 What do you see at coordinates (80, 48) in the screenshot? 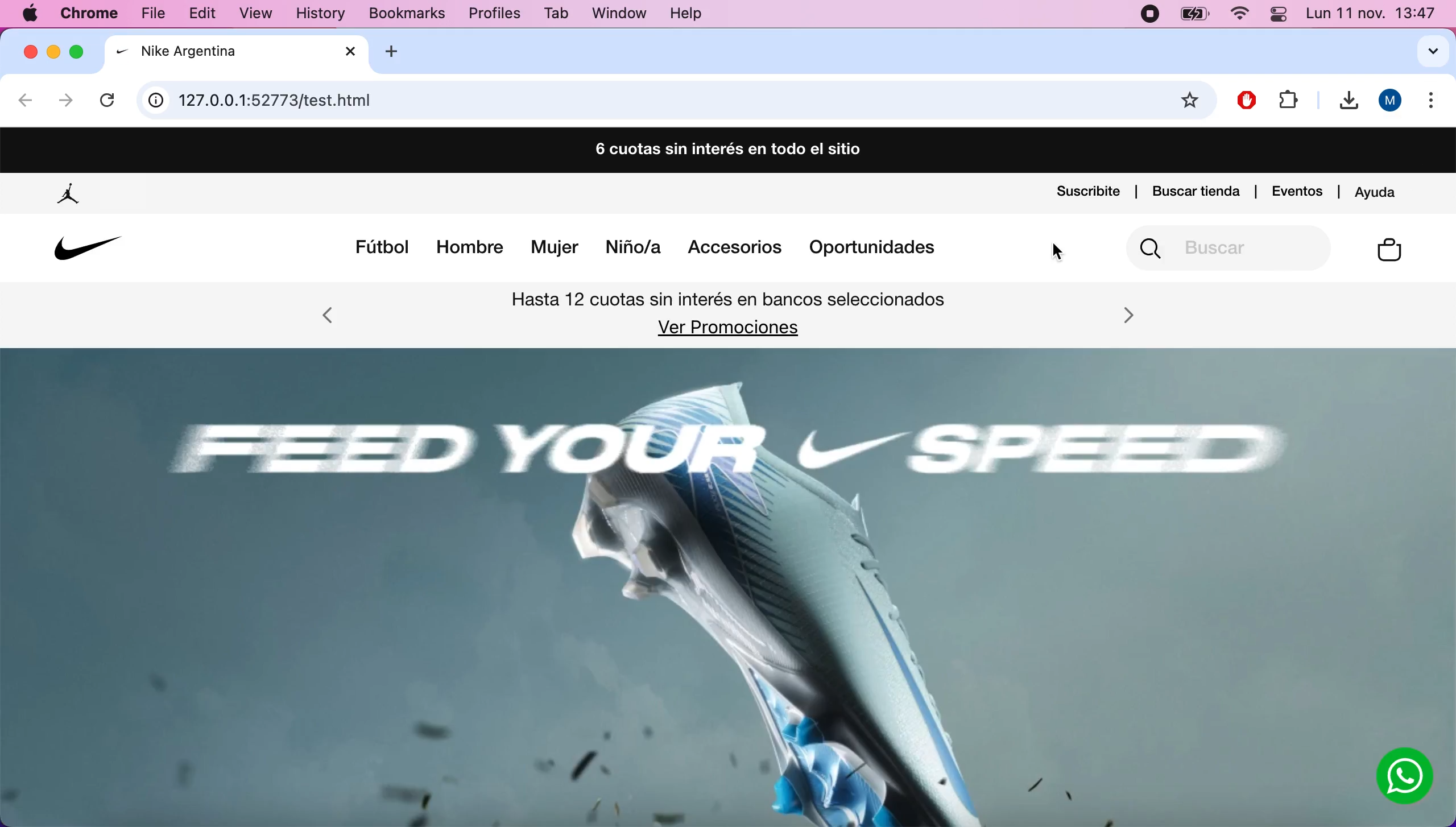
I see `mazimize` at bounding box center [80, 48].